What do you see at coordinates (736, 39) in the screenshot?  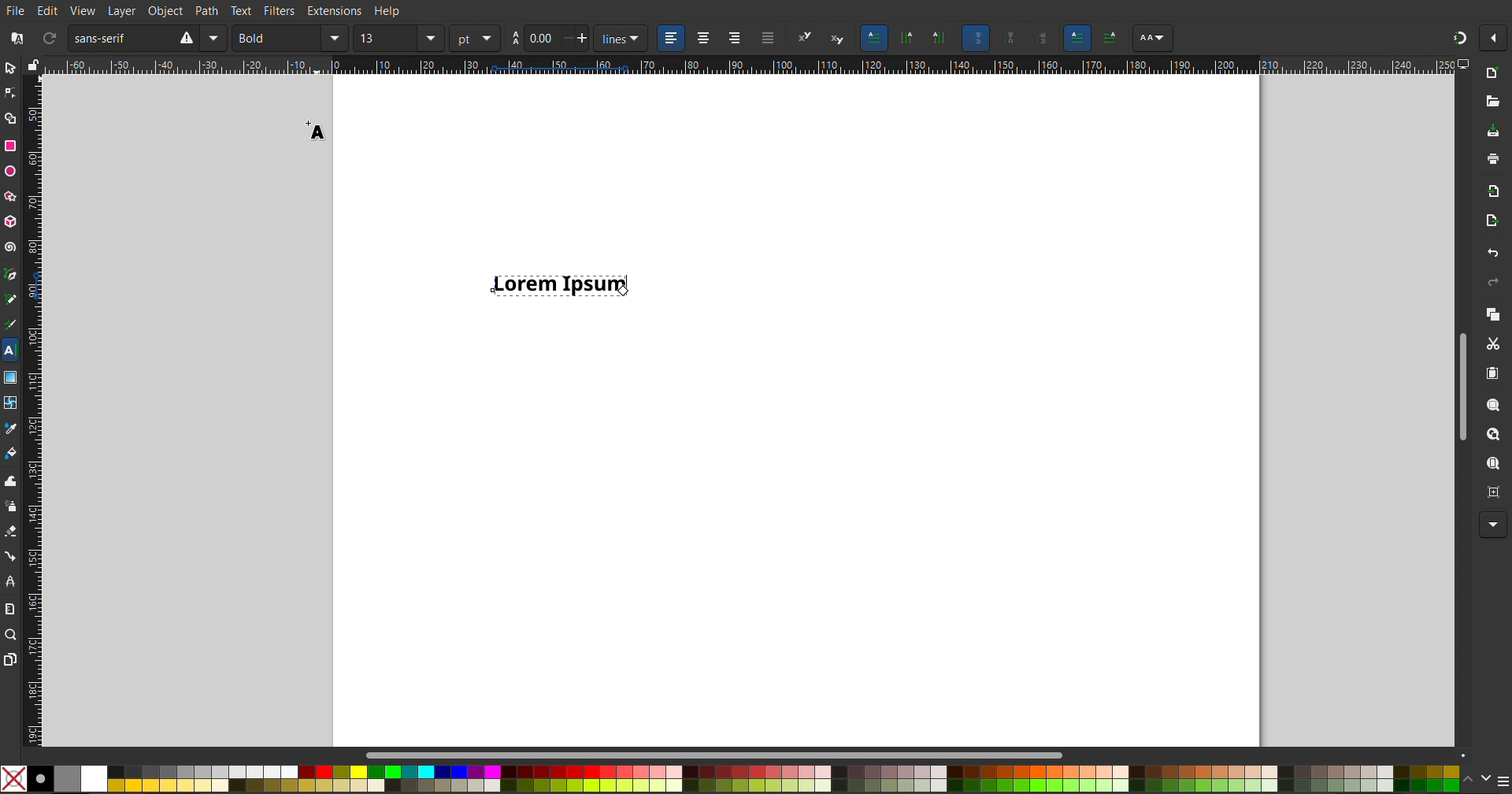 I see `Right Align` at bounding box center [736, 39].